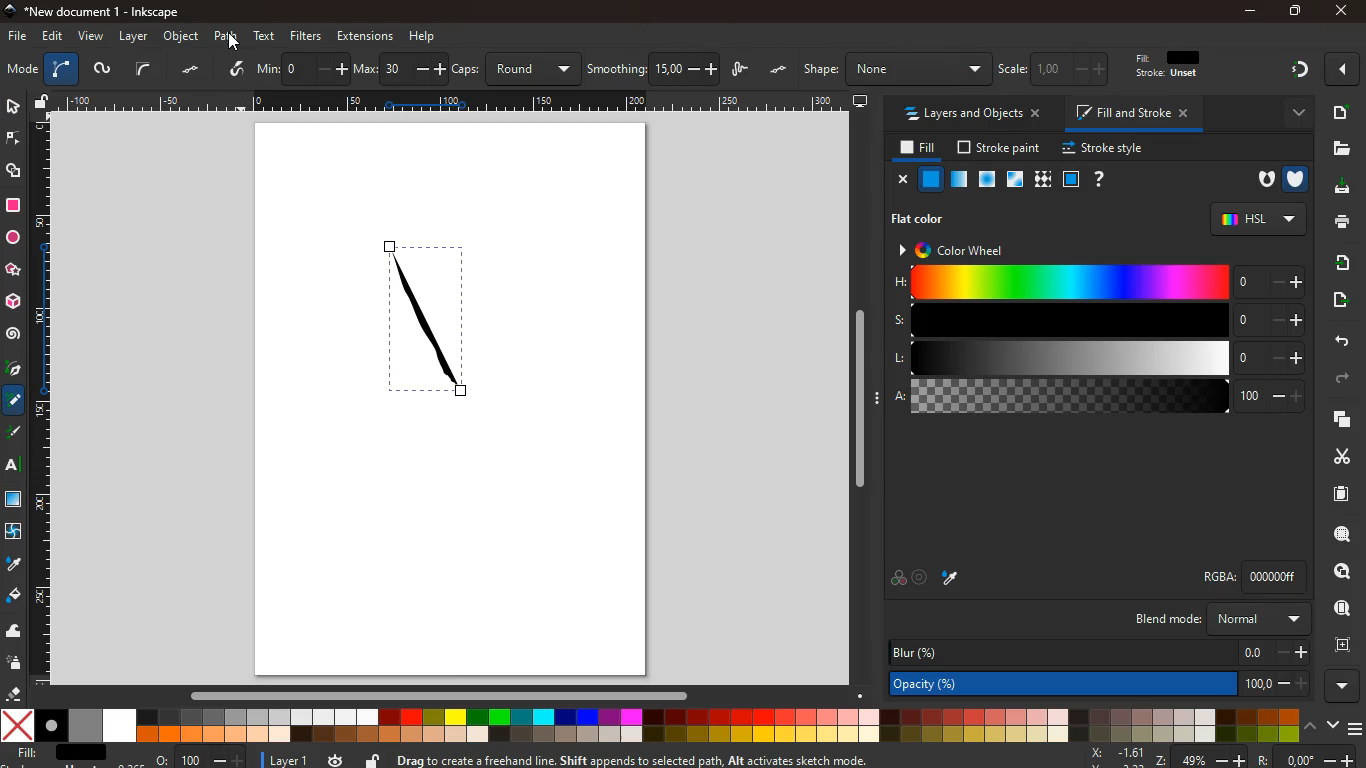 The image size is (1366, 768). What do you see at coordinates (183, 36) in the screenshot?
I see `object` at bounding box center [183, 36].